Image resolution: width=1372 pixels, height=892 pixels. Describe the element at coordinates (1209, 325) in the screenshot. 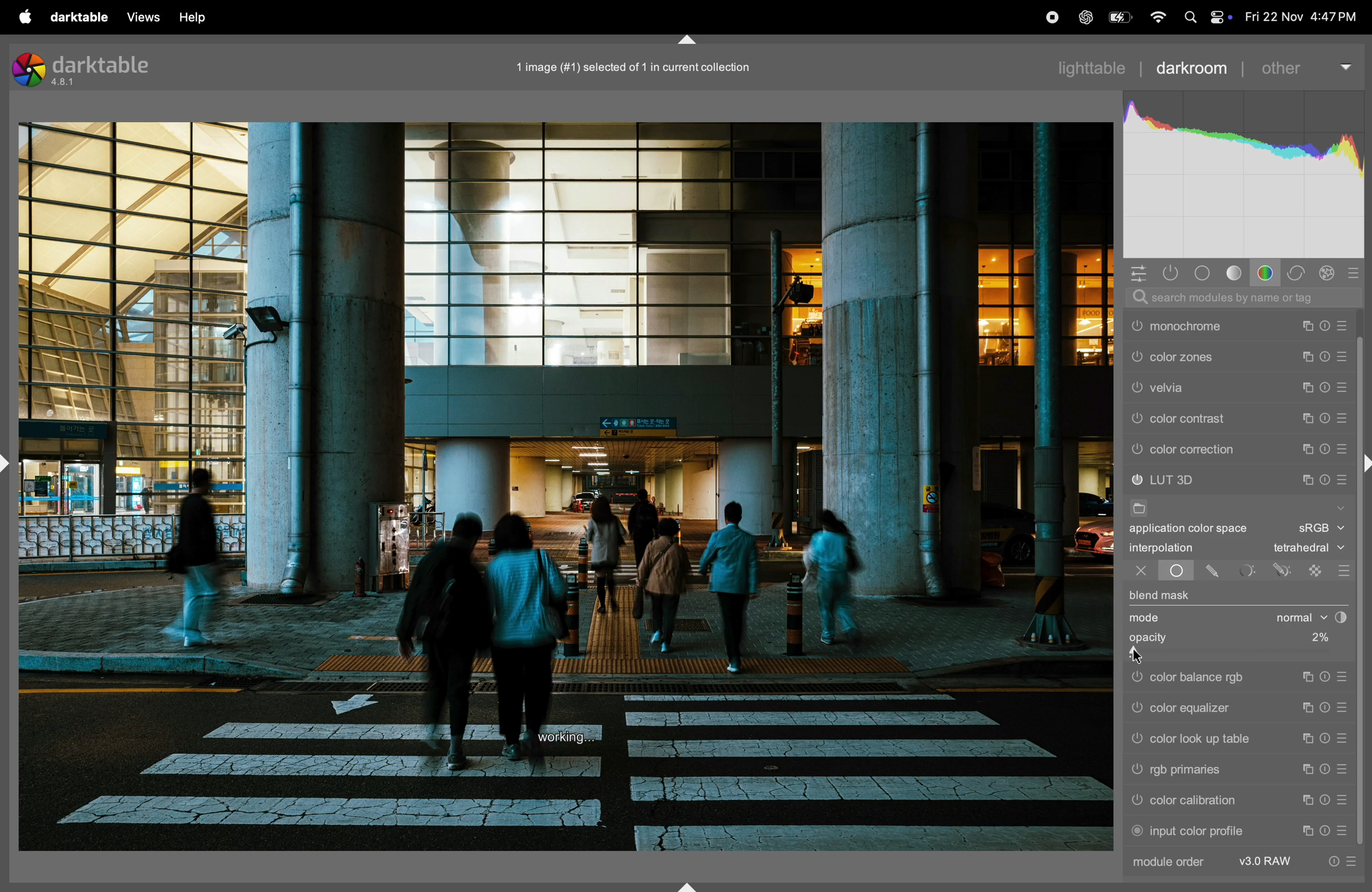

I see `out put color profiles` at that location.